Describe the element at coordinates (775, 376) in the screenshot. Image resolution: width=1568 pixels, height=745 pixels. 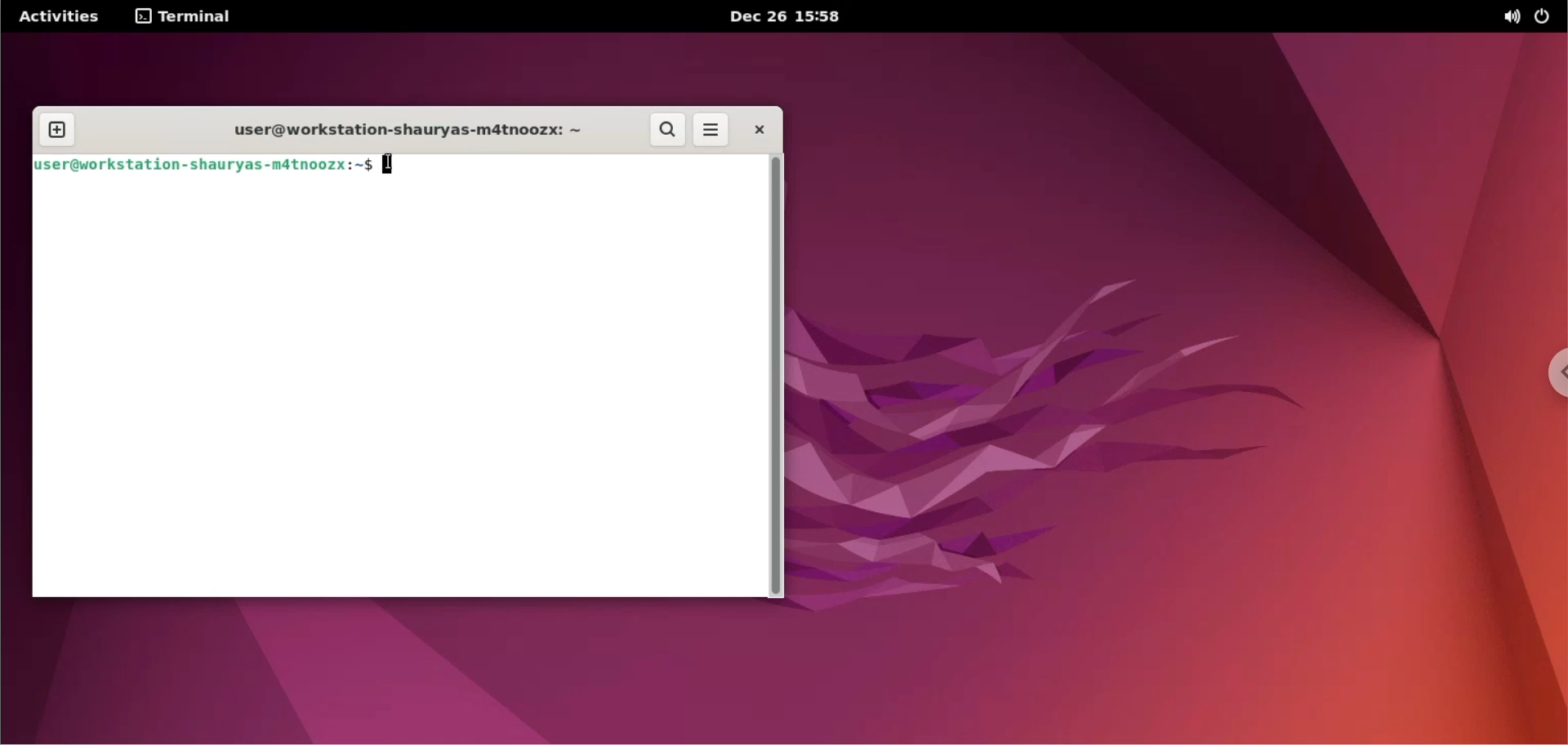
I see `scrollbar` at that location.